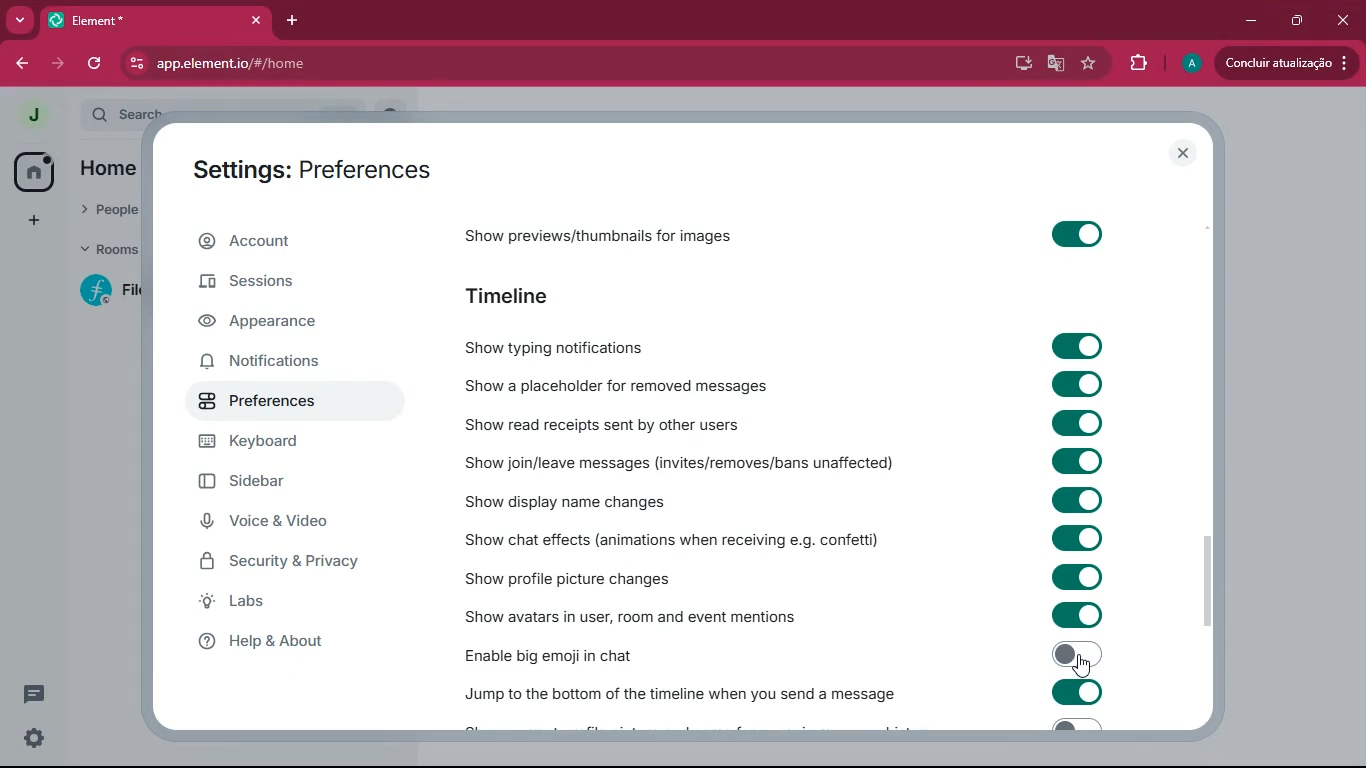 This screenshot has width=1366, height=768. Describe the element at coordinates (1021, 63) in the screenshot. I see `desktop` at that location.